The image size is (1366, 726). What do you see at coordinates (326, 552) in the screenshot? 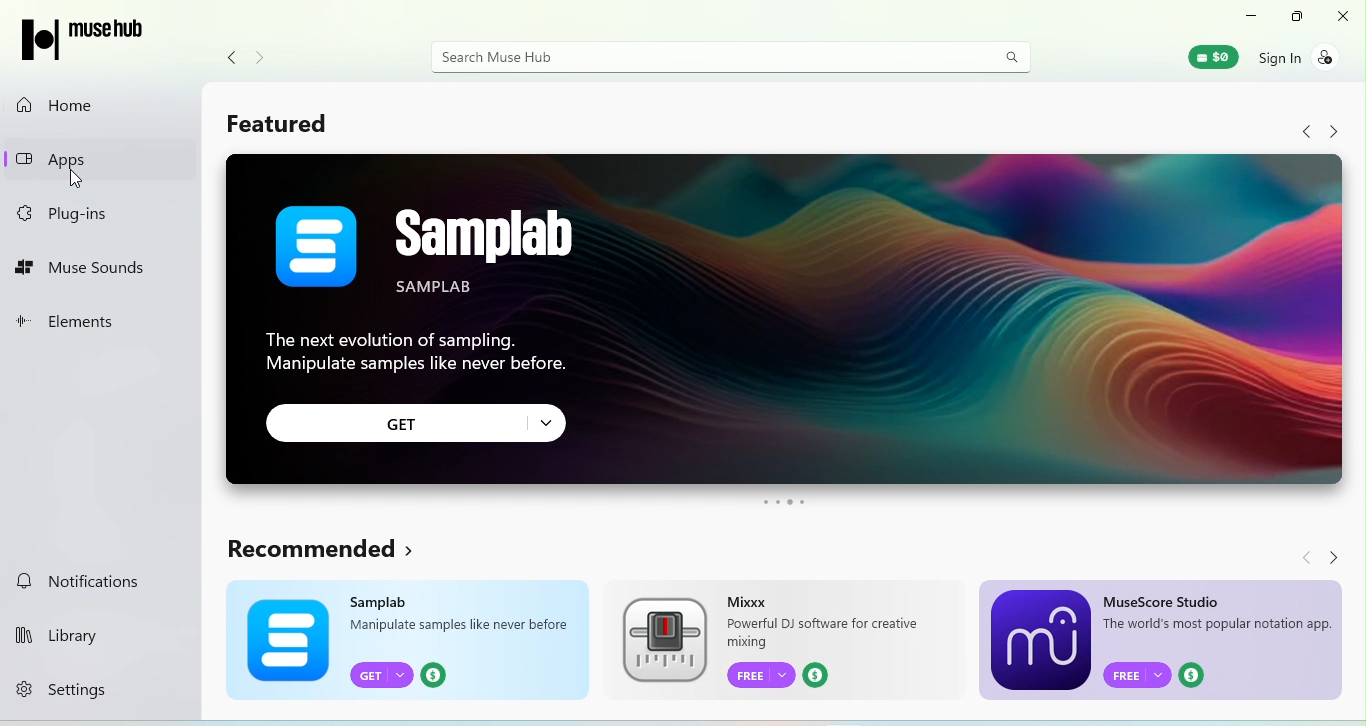
I see `Recommended ` at bounding box center [326, 552].